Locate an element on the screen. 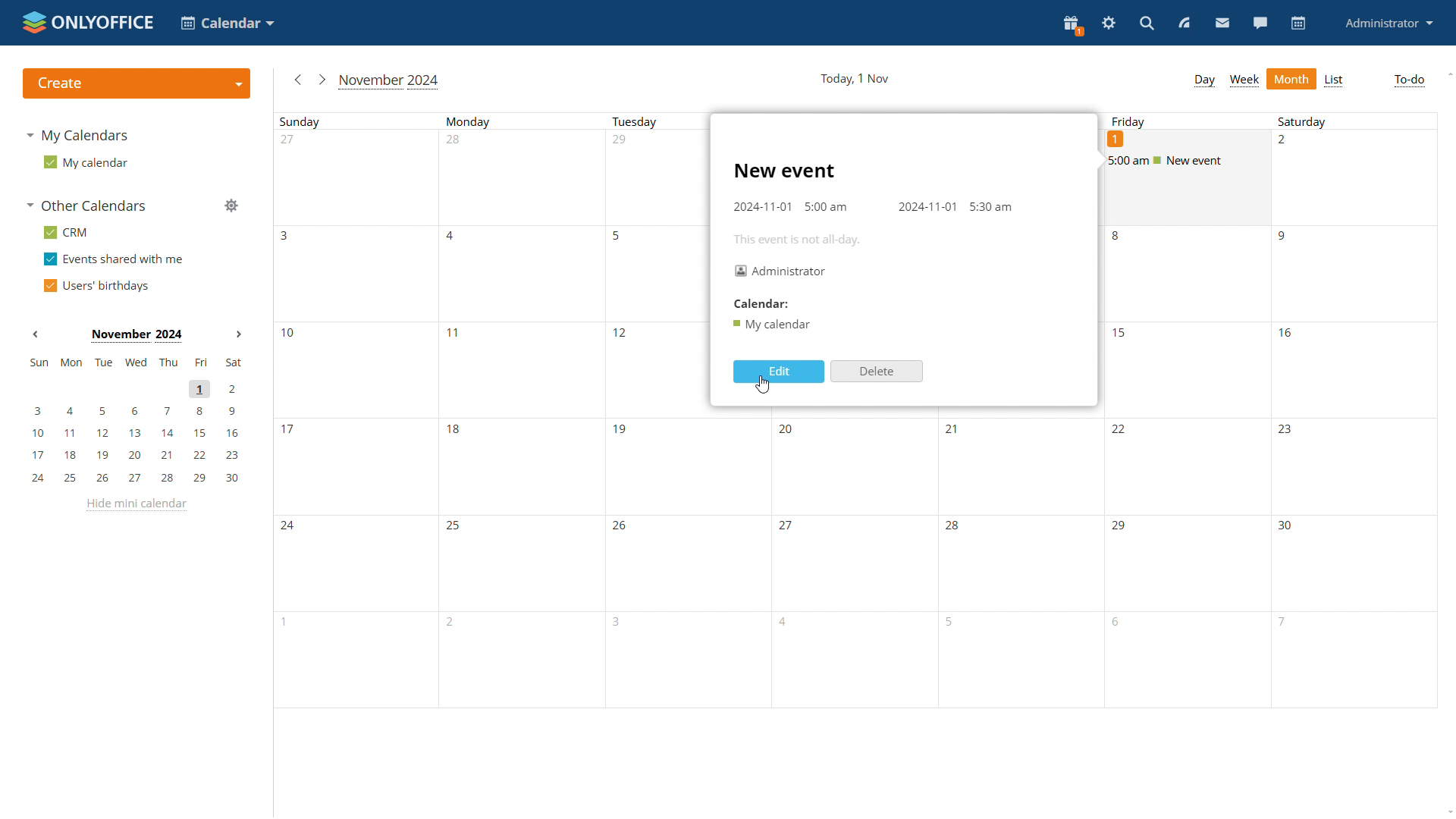 The width and height of the screenshot is (1456, 819). Thursdays is located at coordinates (1021, 565).